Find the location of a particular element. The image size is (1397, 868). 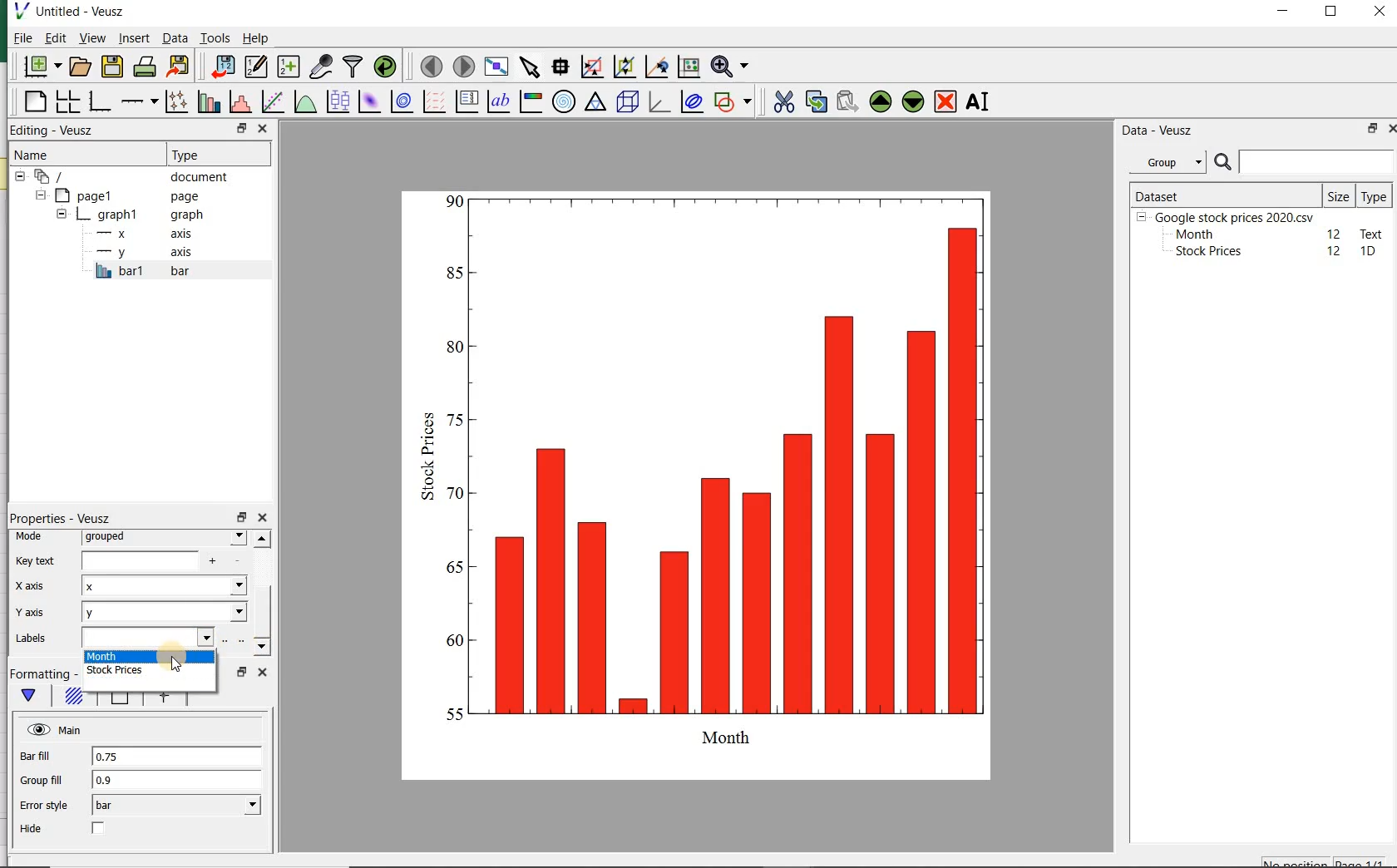

restore is located at coordinates (240, 518).